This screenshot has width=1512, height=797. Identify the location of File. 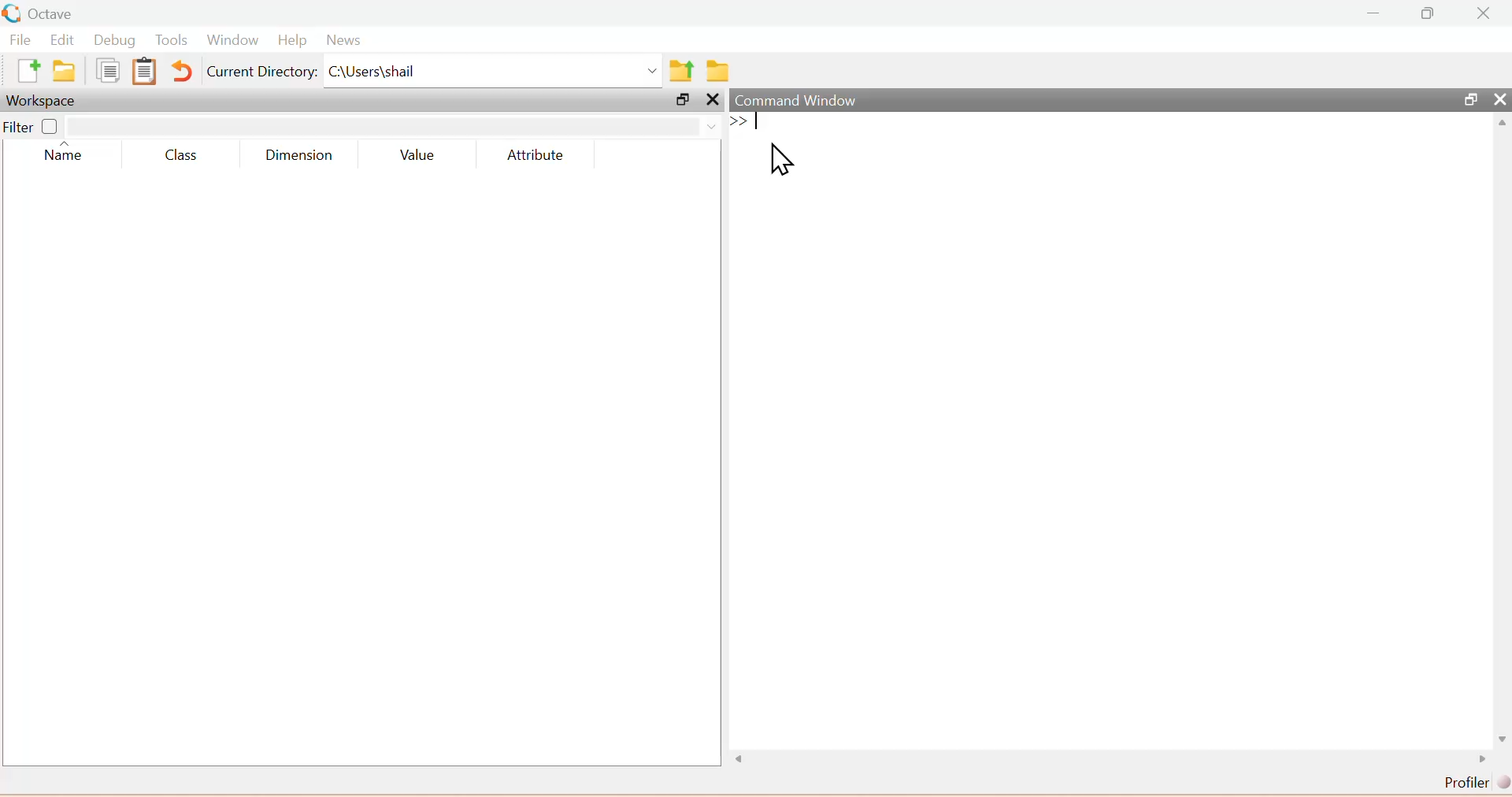
(23, 40).